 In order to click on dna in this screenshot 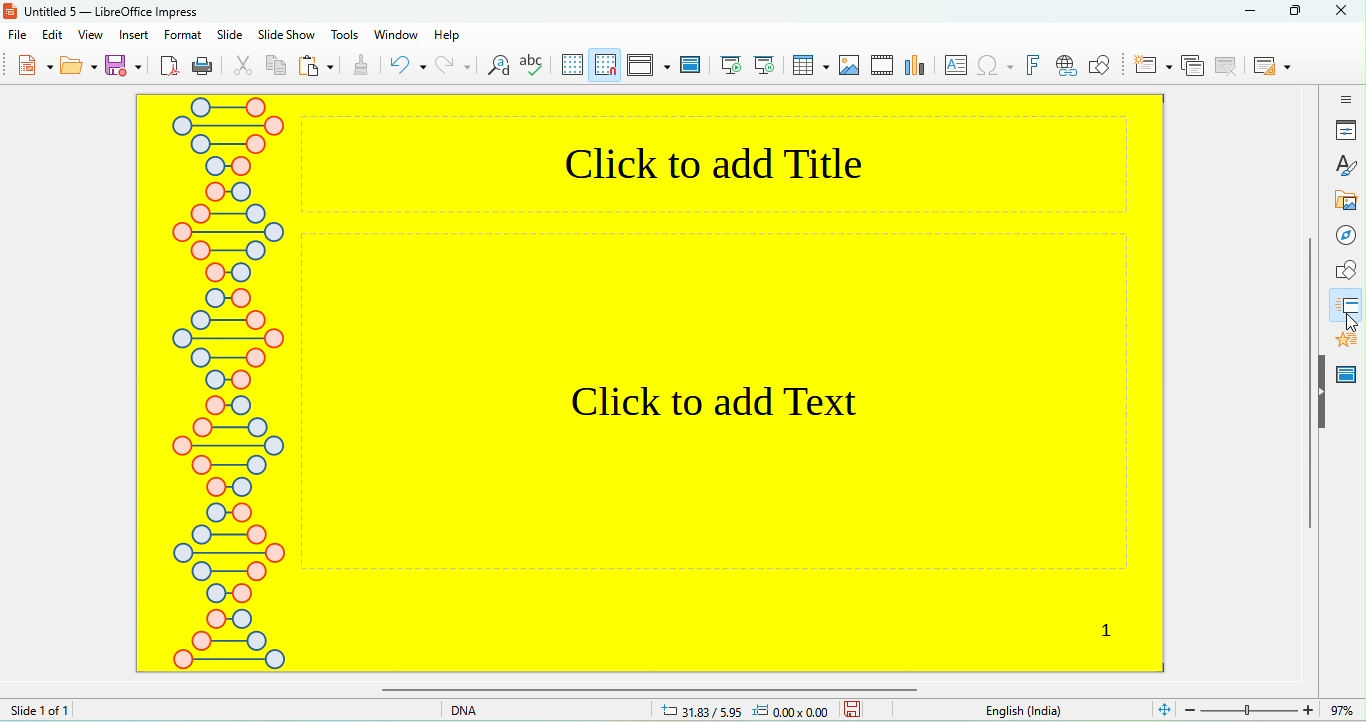, I will do `click(480, 711)`.